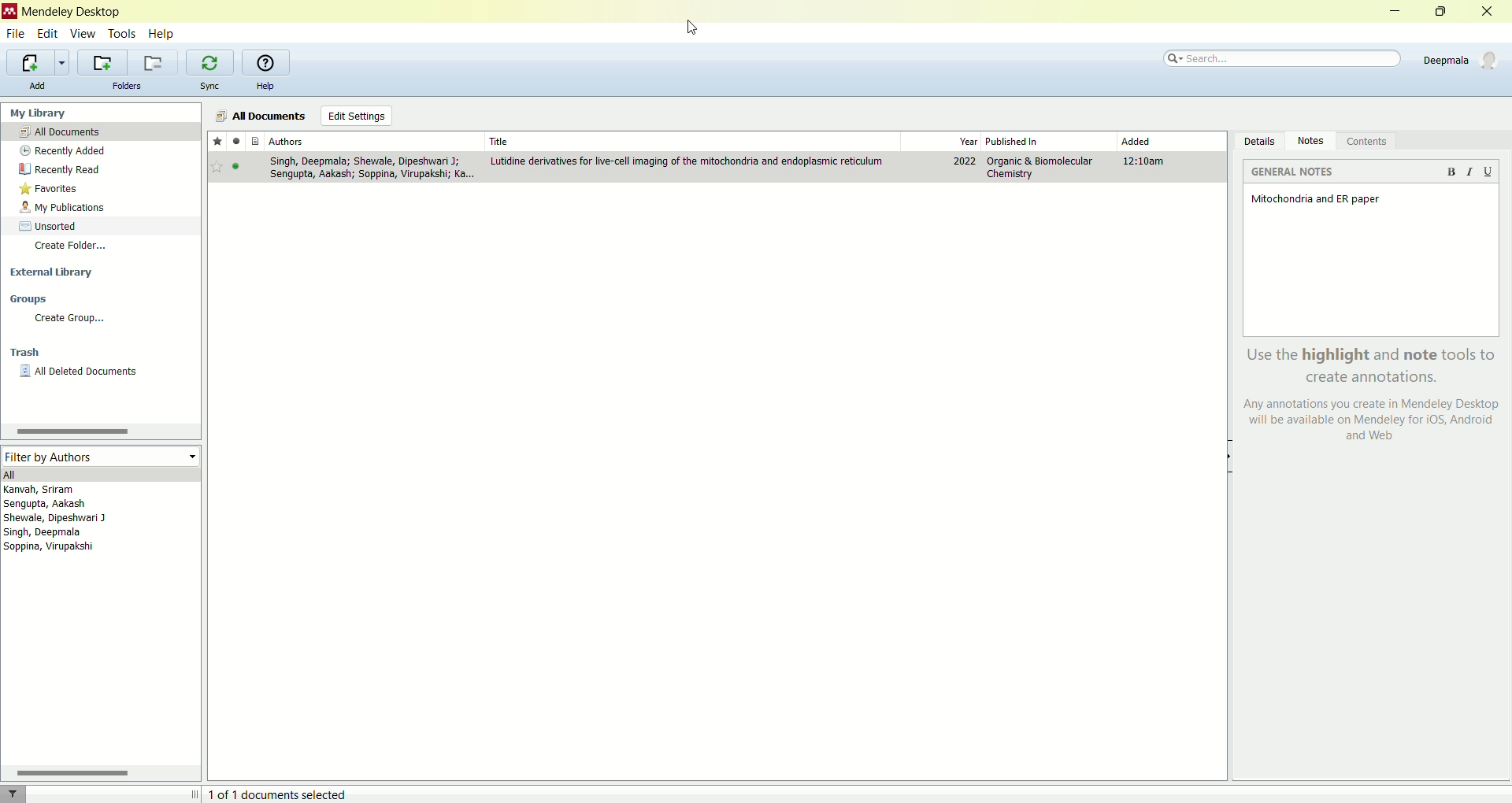  I want to click on Singh, Deepmala, so click(51, 534).